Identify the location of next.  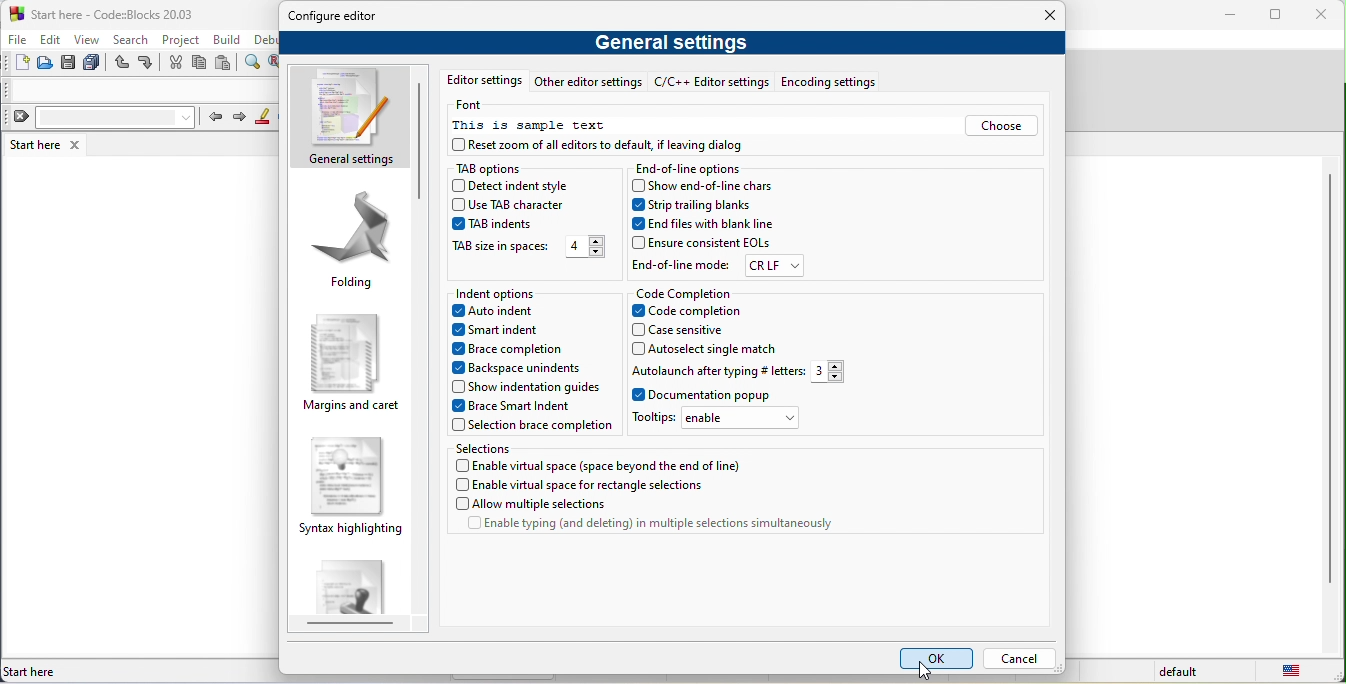
(244, 118).